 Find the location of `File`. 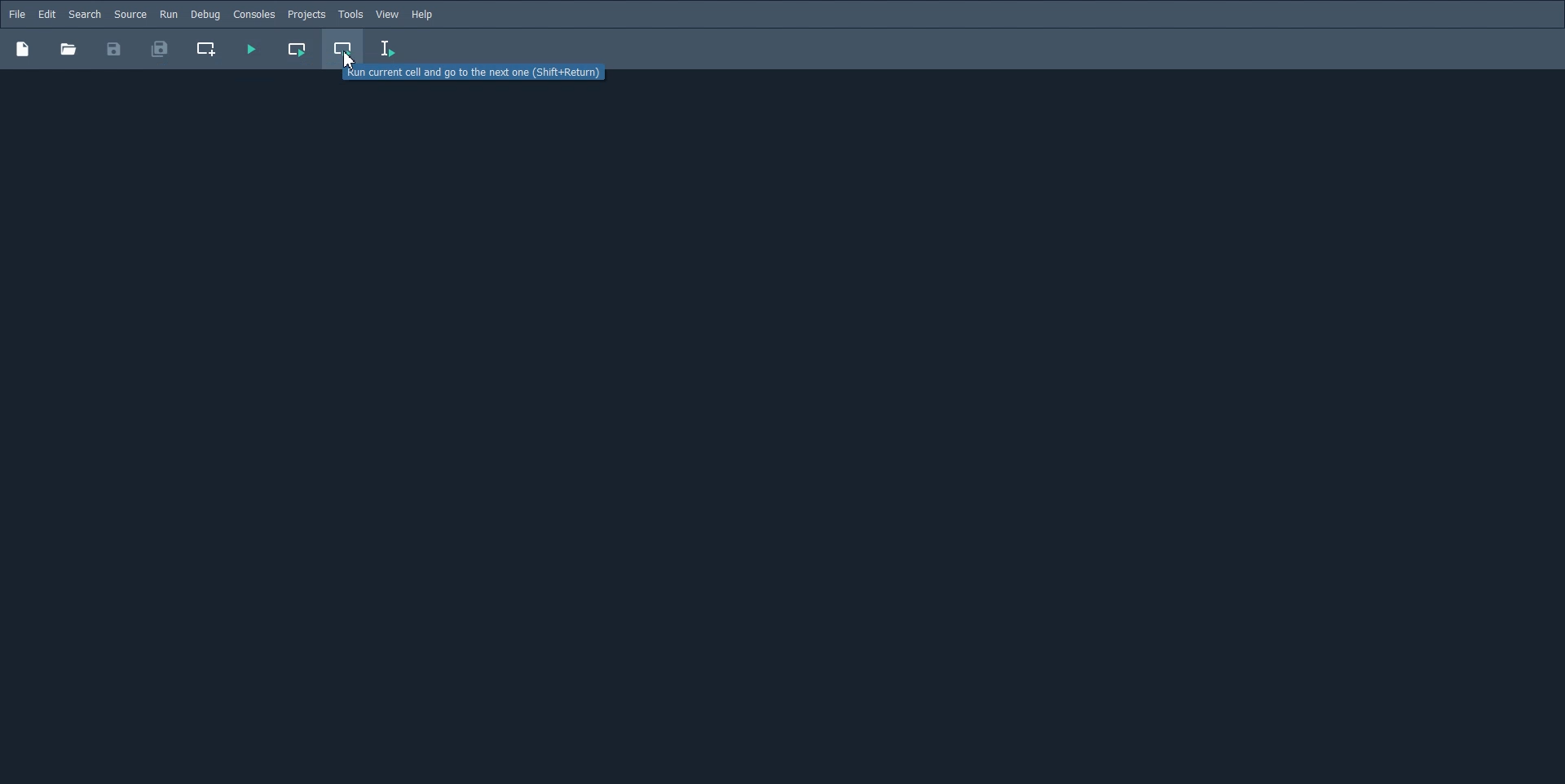

File is located at coordinates (17, 14).